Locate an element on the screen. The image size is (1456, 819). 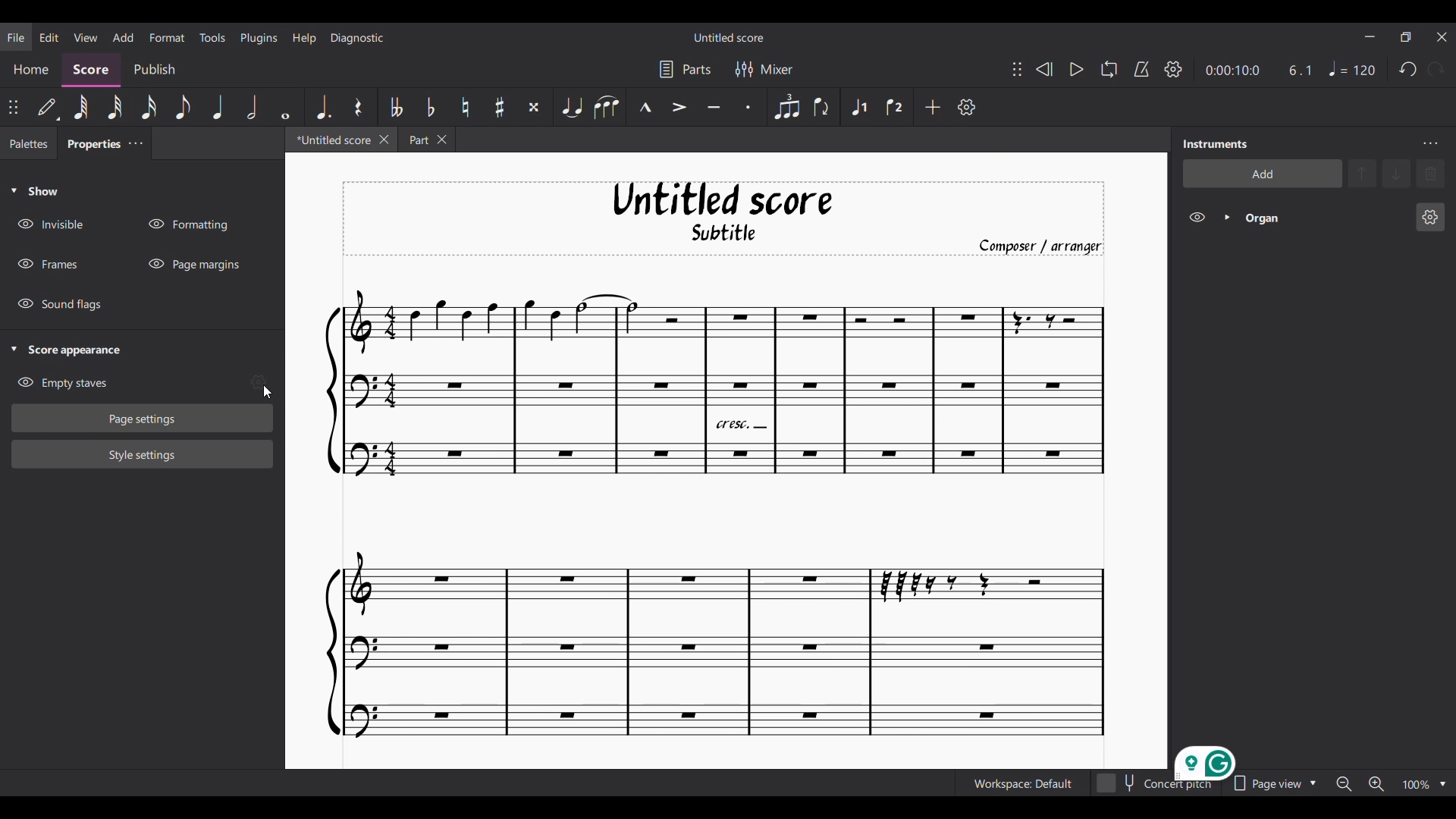
Whole note is located at coordinates (286, 108).